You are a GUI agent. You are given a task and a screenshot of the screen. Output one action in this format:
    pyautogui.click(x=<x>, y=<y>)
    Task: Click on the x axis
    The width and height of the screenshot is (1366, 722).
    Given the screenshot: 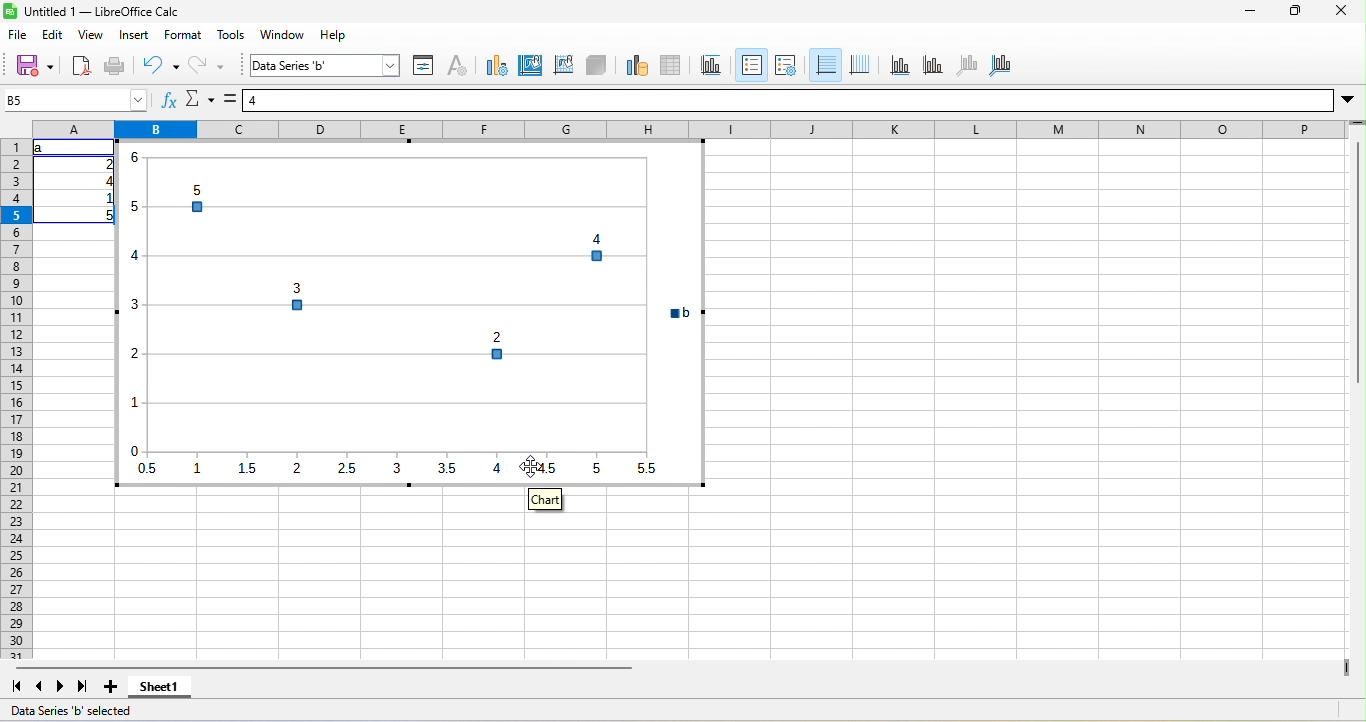 What is the action you would take?
    pyautogui.click(x=900, y=67)
    